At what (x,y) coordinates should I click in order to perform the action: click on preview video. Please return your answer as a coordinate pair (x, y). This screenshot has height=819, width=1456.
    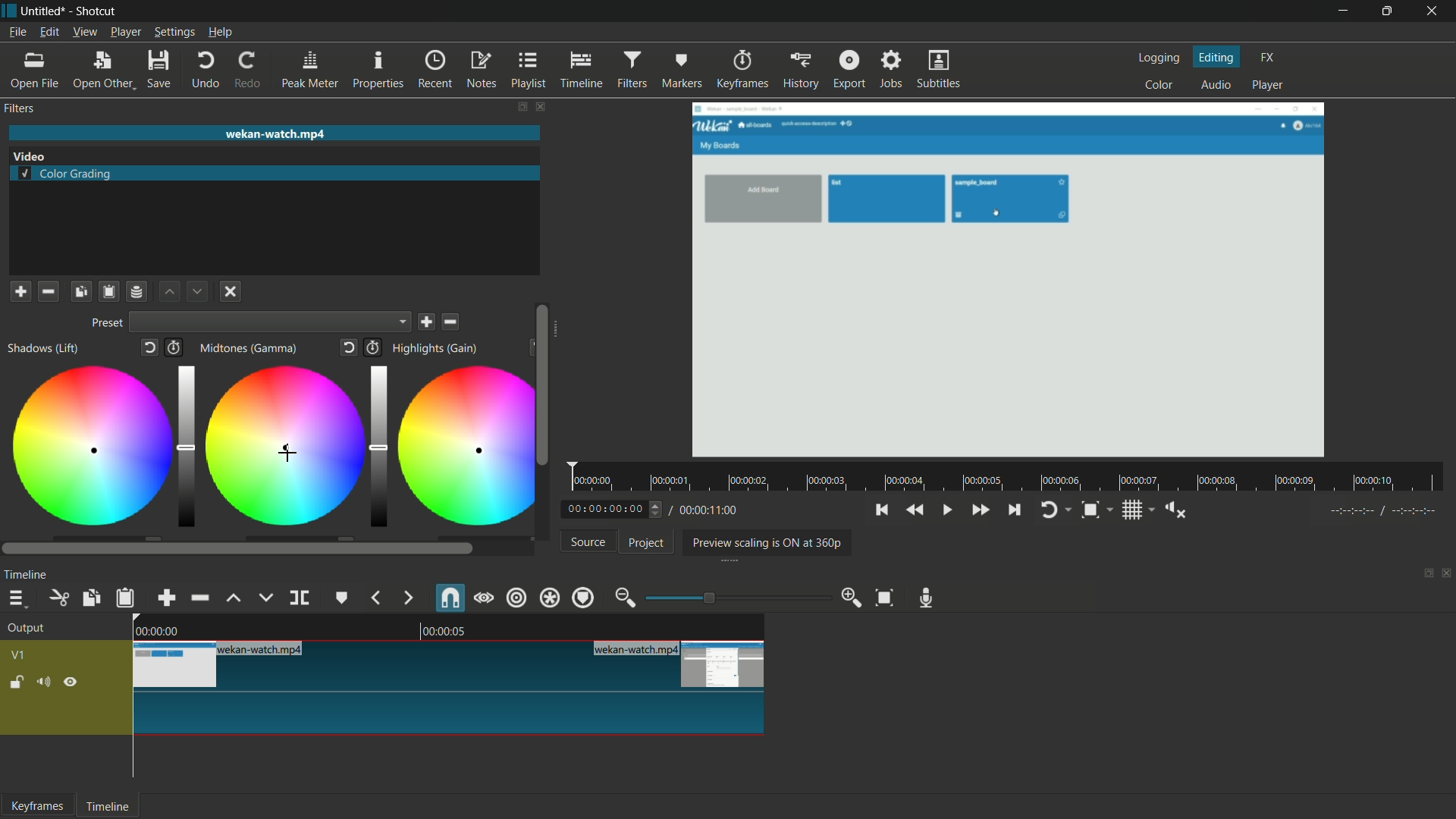
    Looking at the image, I should click on (1011, 281).